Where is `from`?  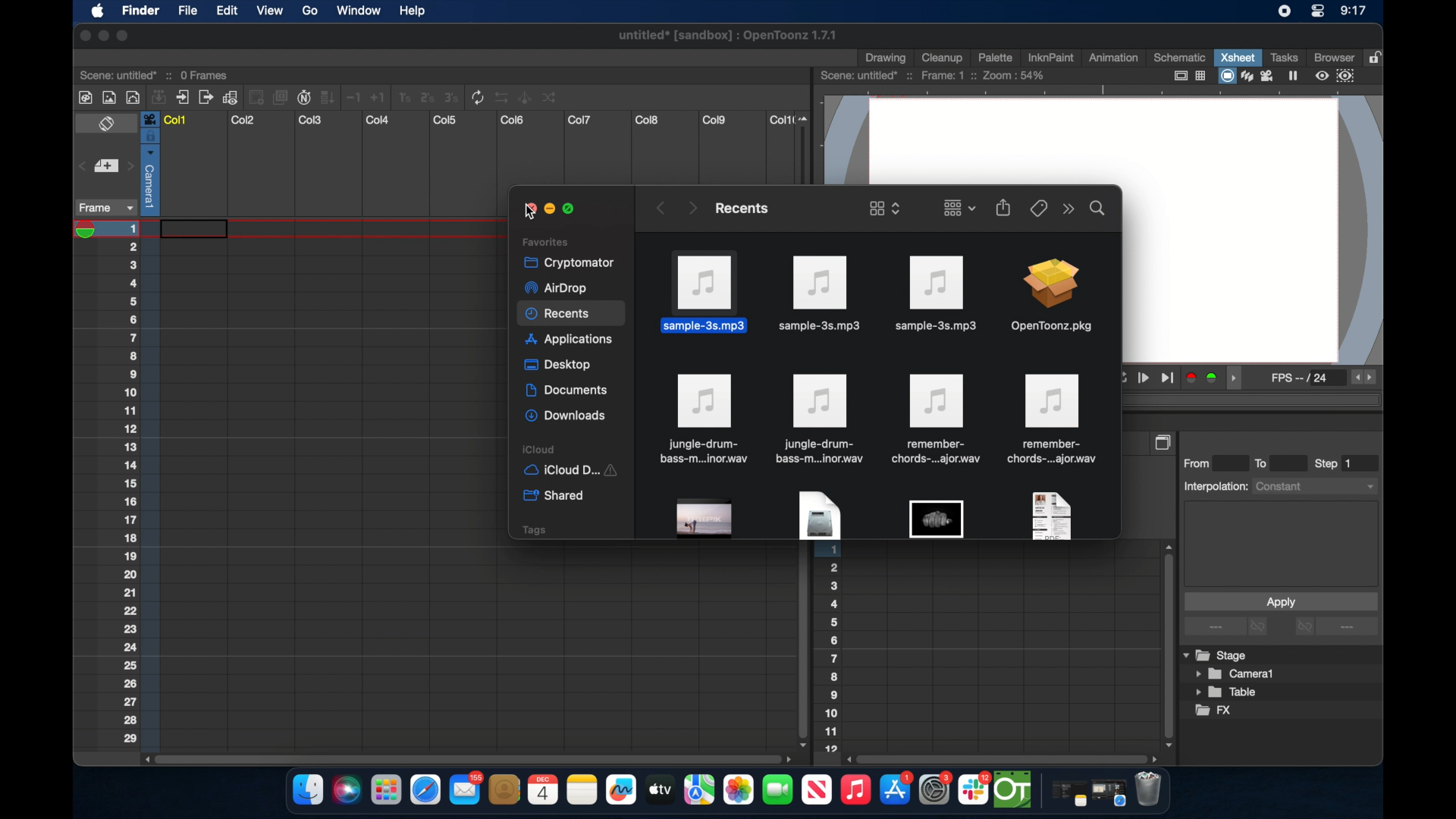
from is located at coordinates (1200, 463).